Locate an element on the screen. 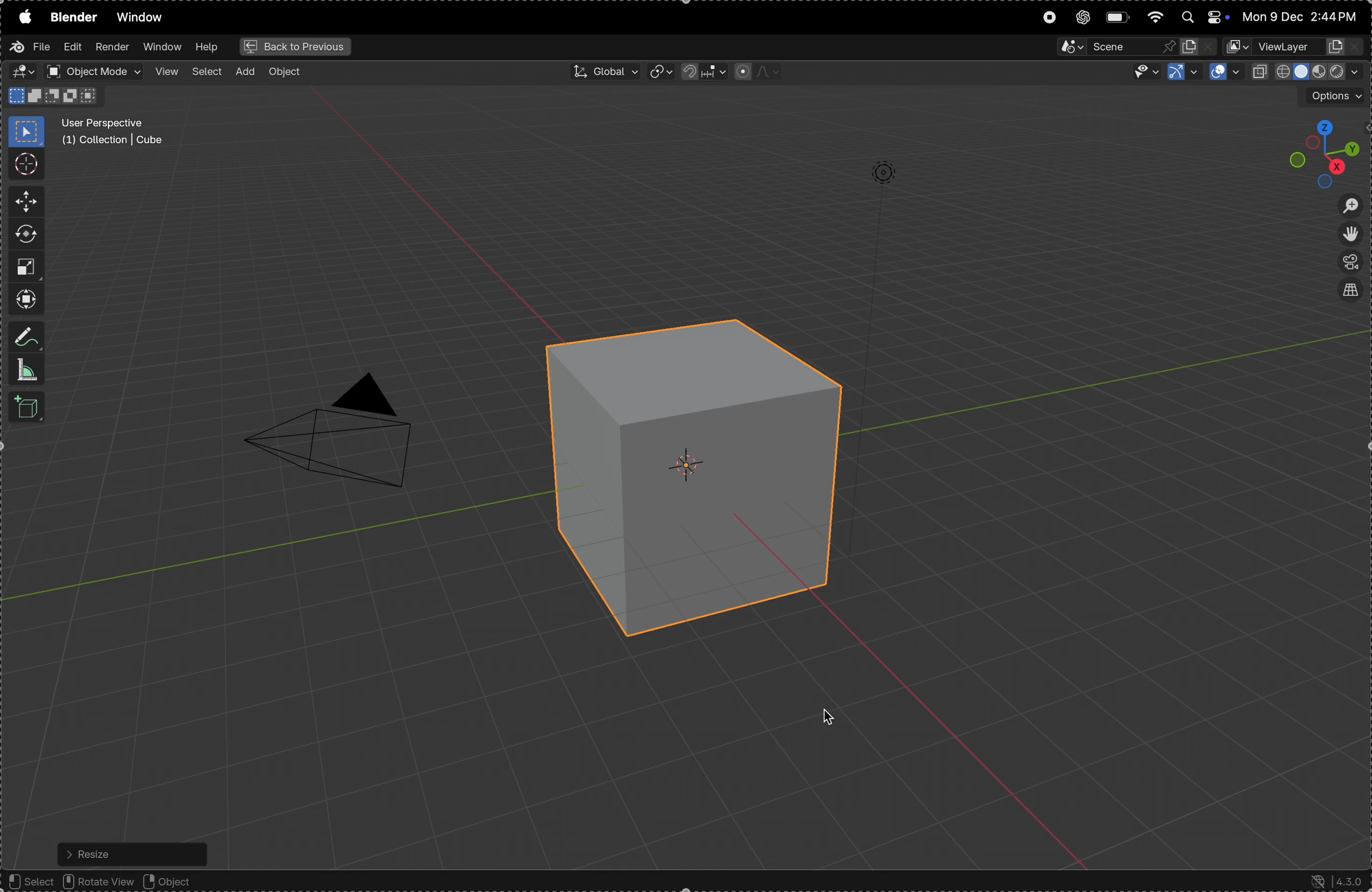 Image resolution: width=1372 pixels, height=892 pixels. secene is located at coordinates (1134, 48).